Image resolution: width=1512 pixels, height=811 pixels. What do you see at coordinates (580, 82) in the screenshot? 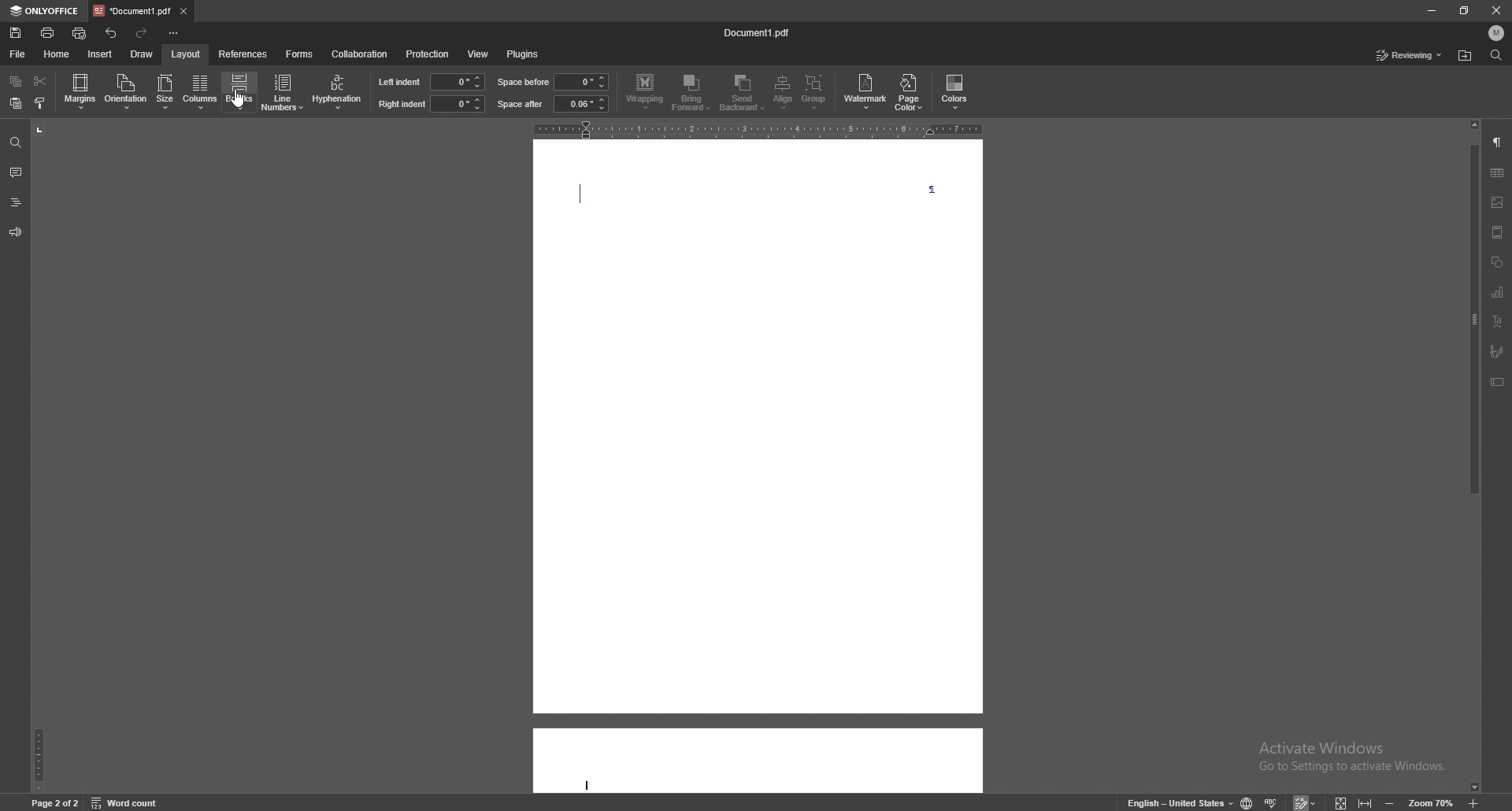
I see `space before` at bounding box center [580, 82].